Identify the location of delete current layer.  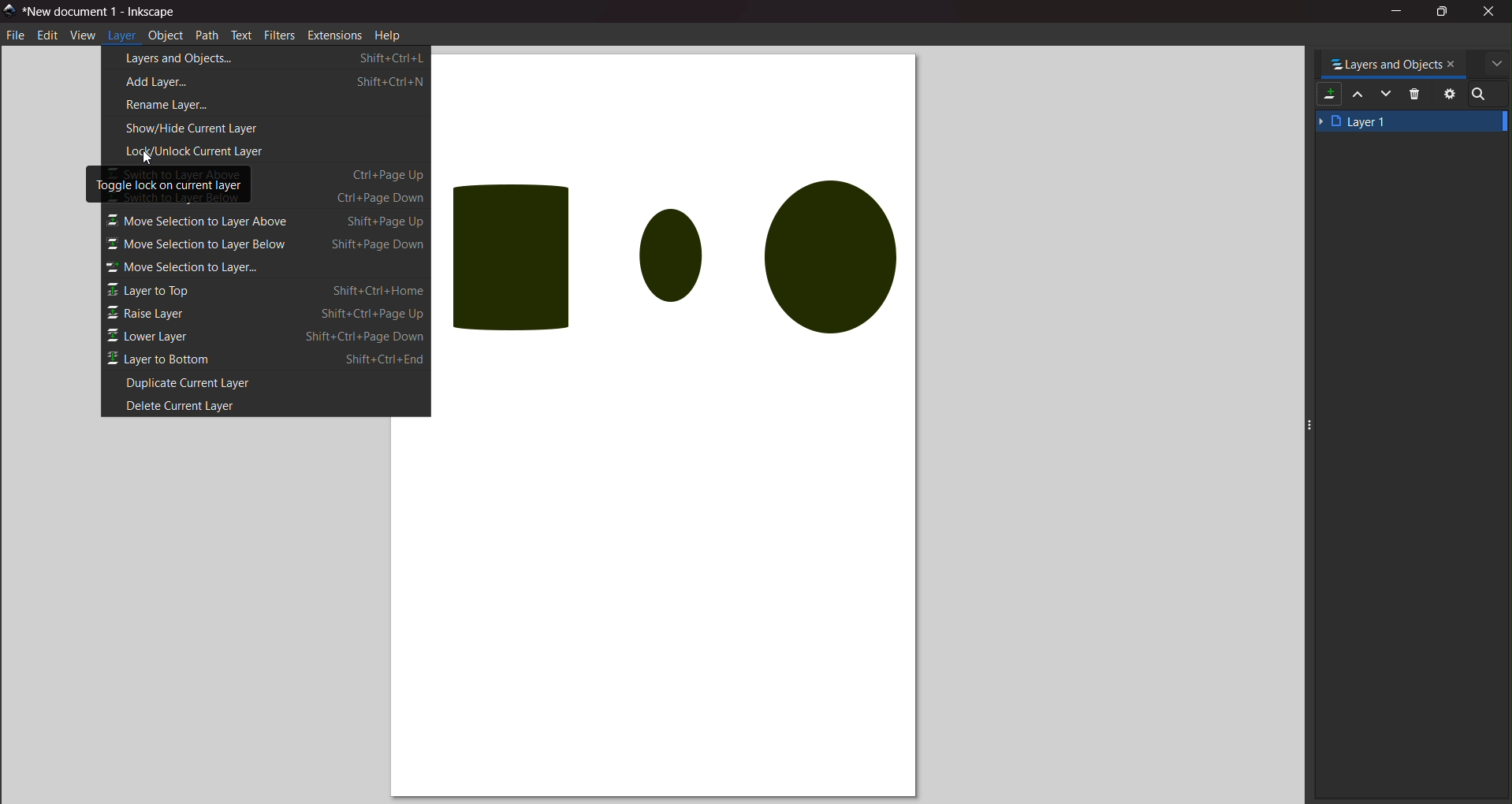
(182, 405).